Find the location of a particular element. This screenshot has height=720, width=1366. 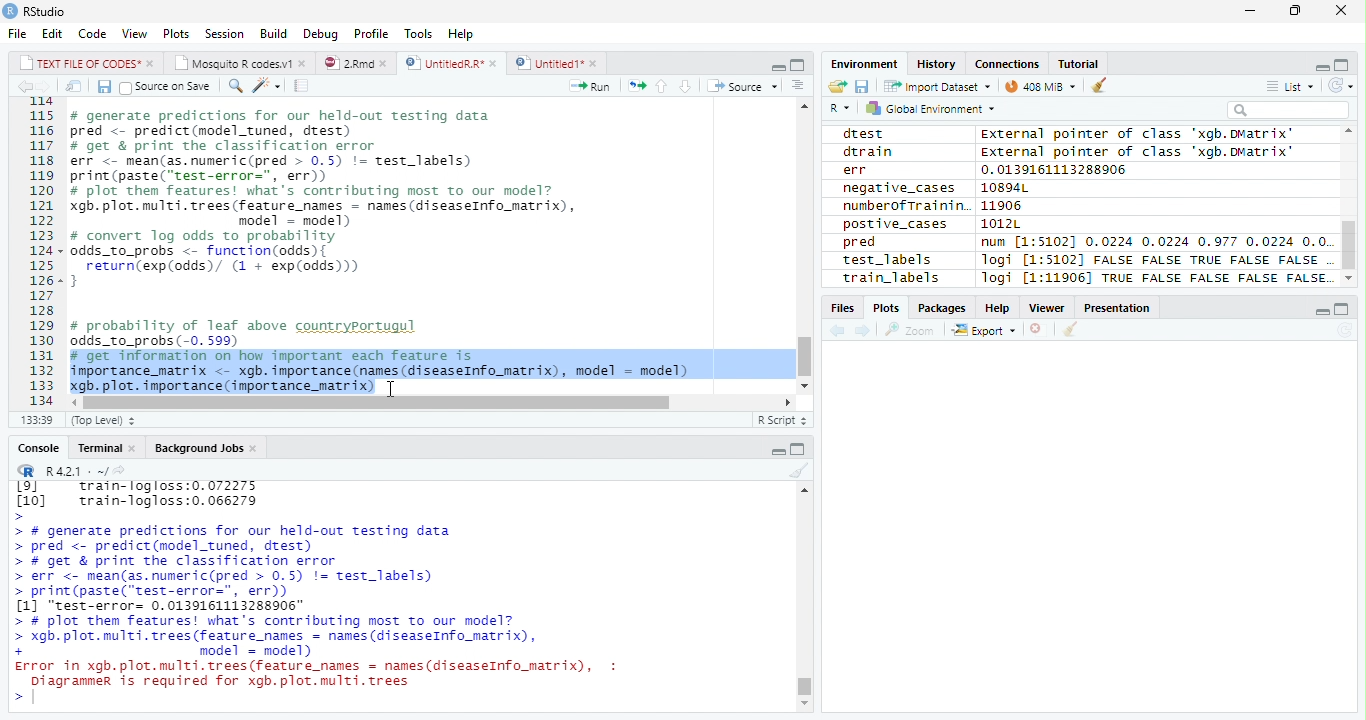

Connections is located at coordinates (1007, 64).